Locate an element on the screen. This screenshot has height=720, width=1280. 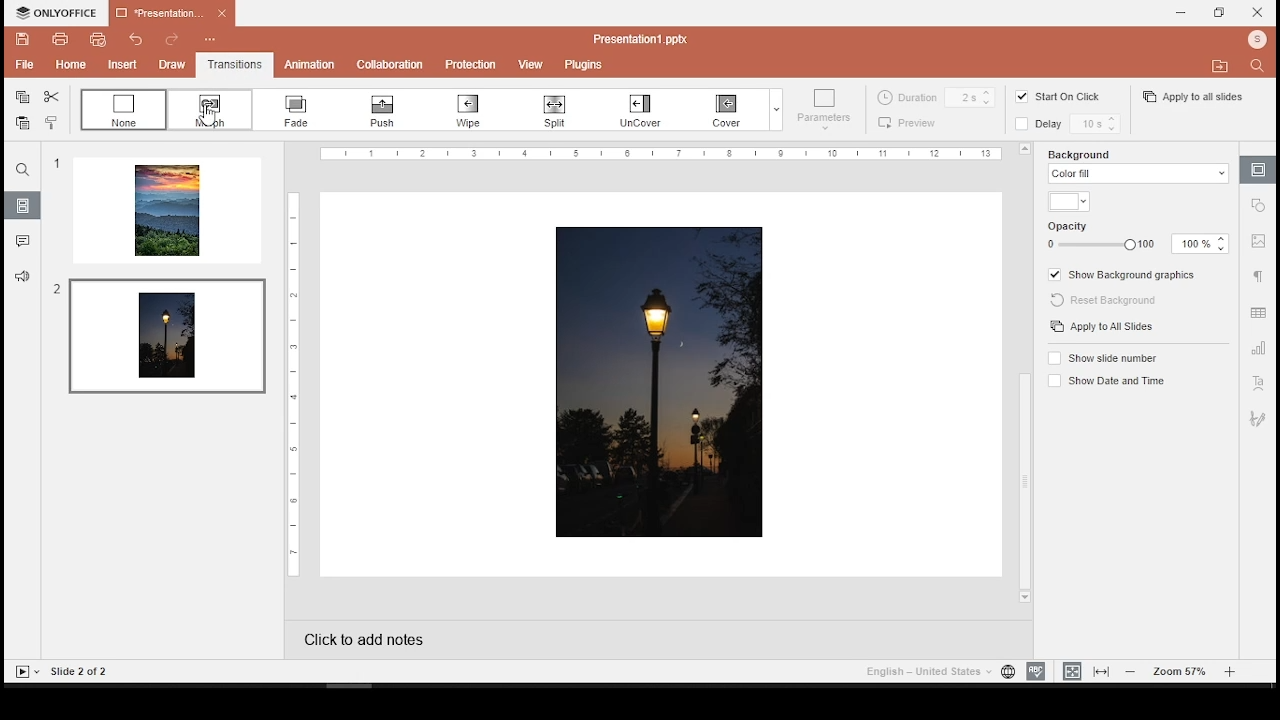
cut is located at coordinates (52, 97).